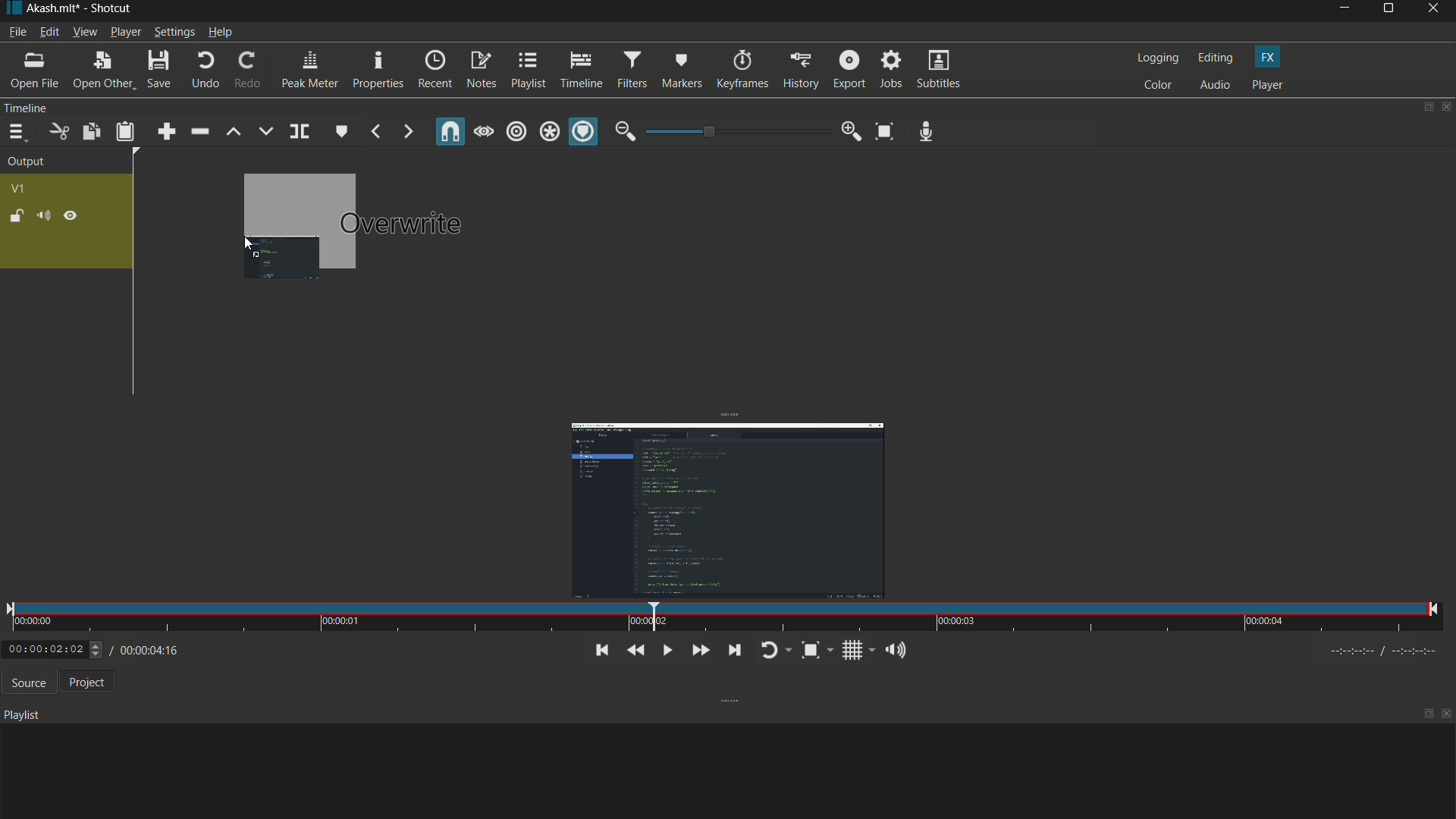 The height and width of the screenshot is (819, 1456). What do you see at coordinates (83, 682) in the screenshot?
I see `project` at bounding box center [83, 682].